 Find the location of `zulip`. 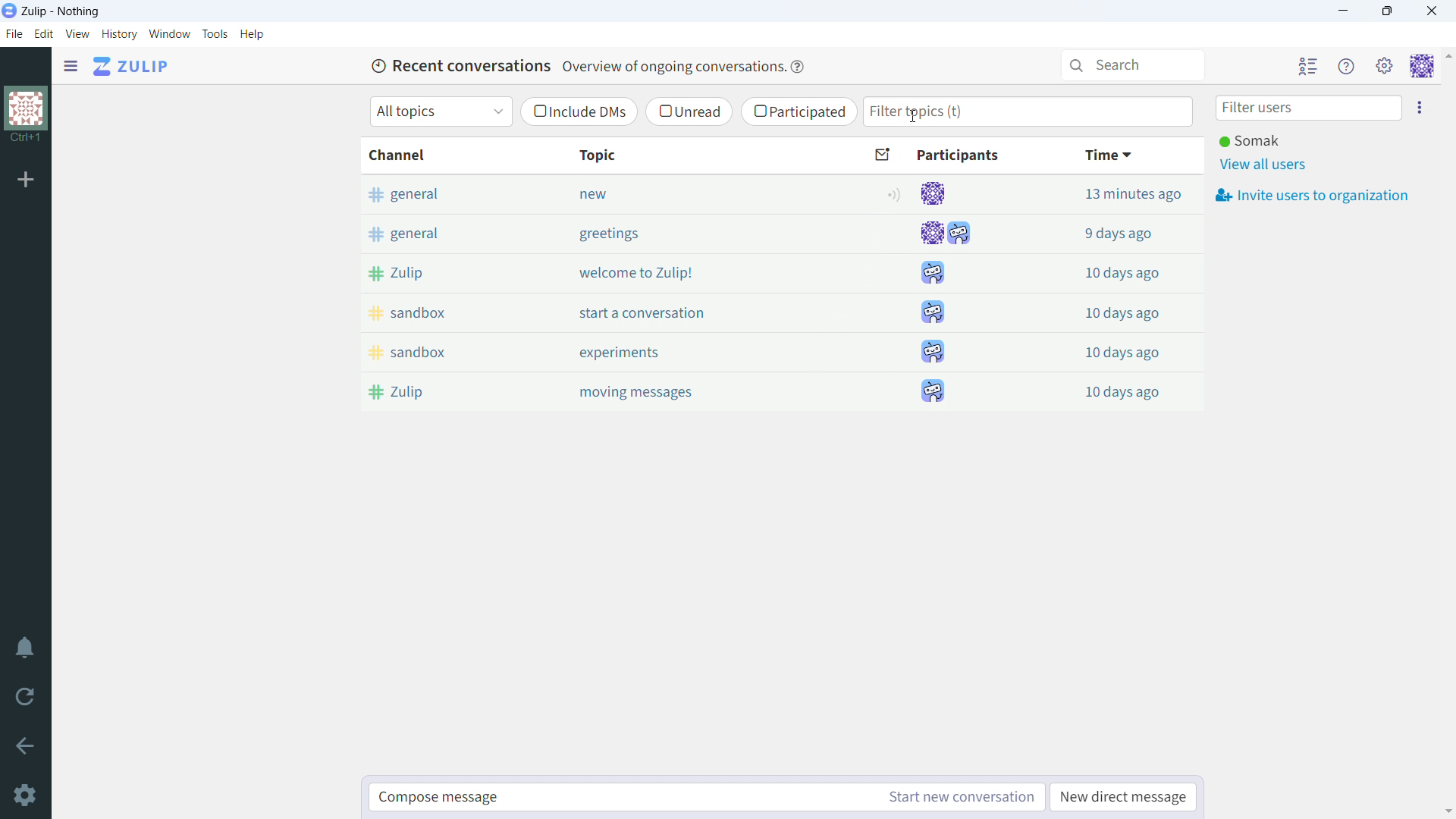

zulip is located at coordinates (438, 272).